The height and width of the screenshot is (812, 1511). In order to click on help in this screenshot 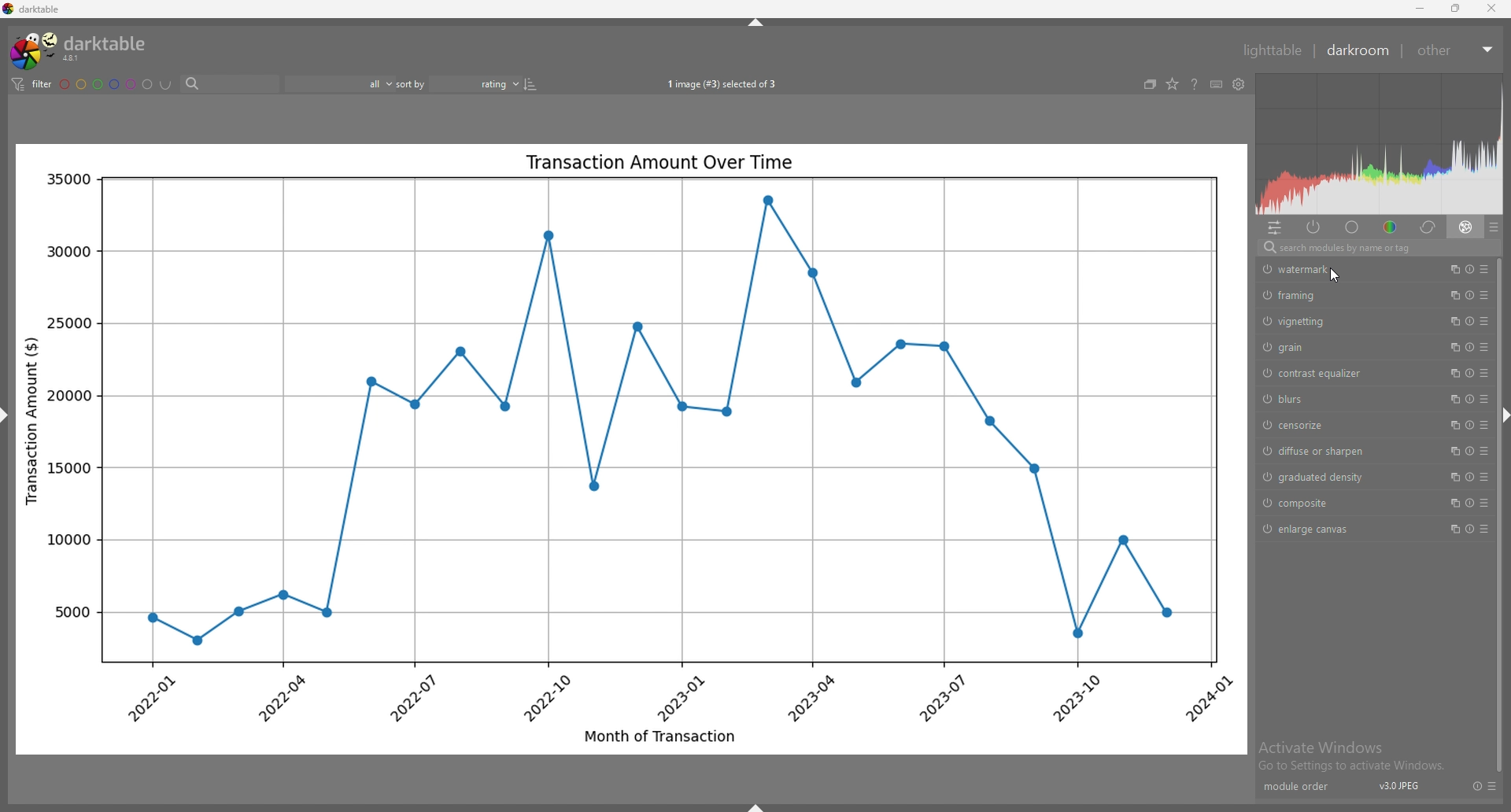, I will do `click(1195, 85)`.